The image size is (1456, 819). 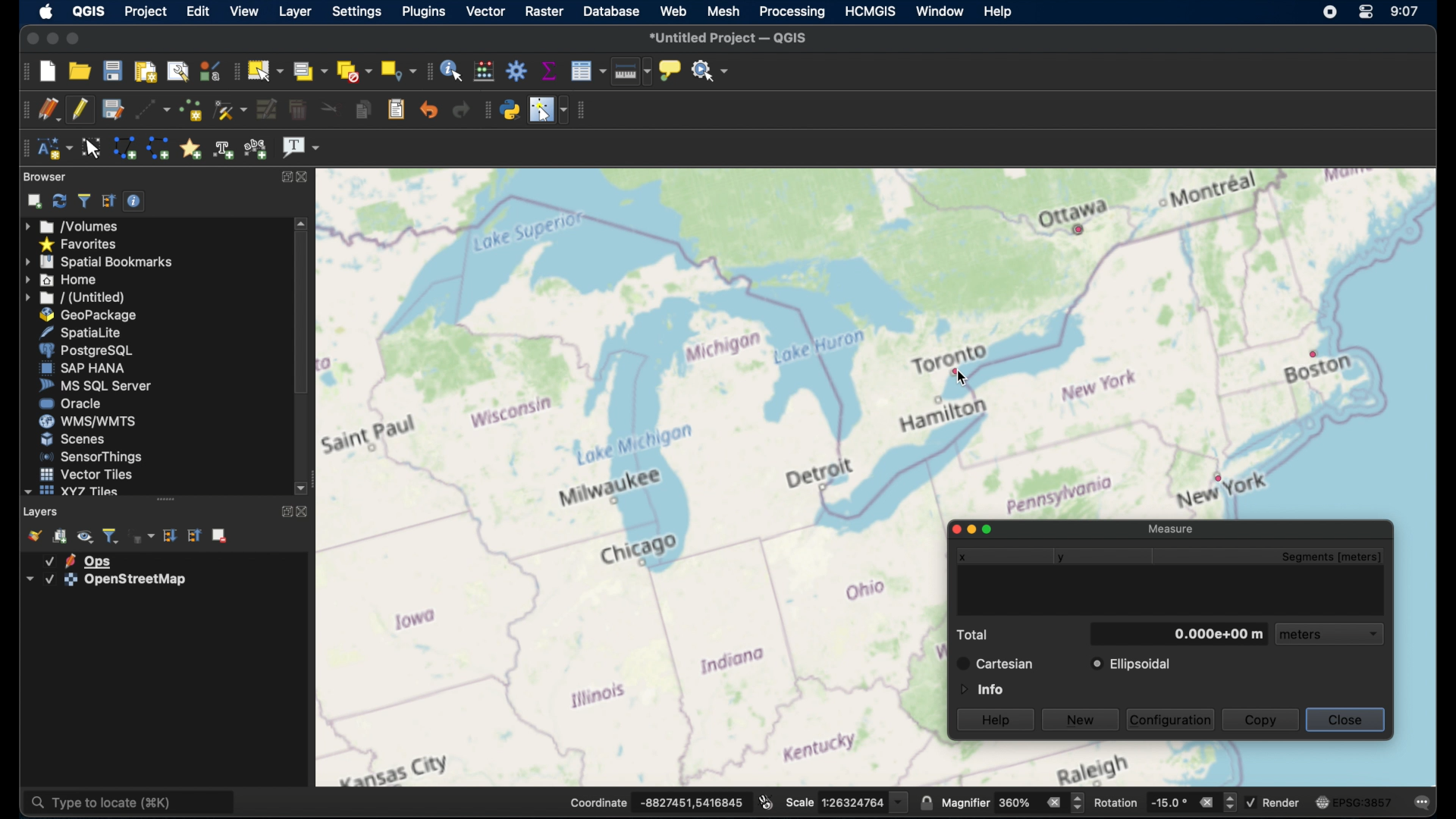 I want to click on y, so click(x=1063, y=559).